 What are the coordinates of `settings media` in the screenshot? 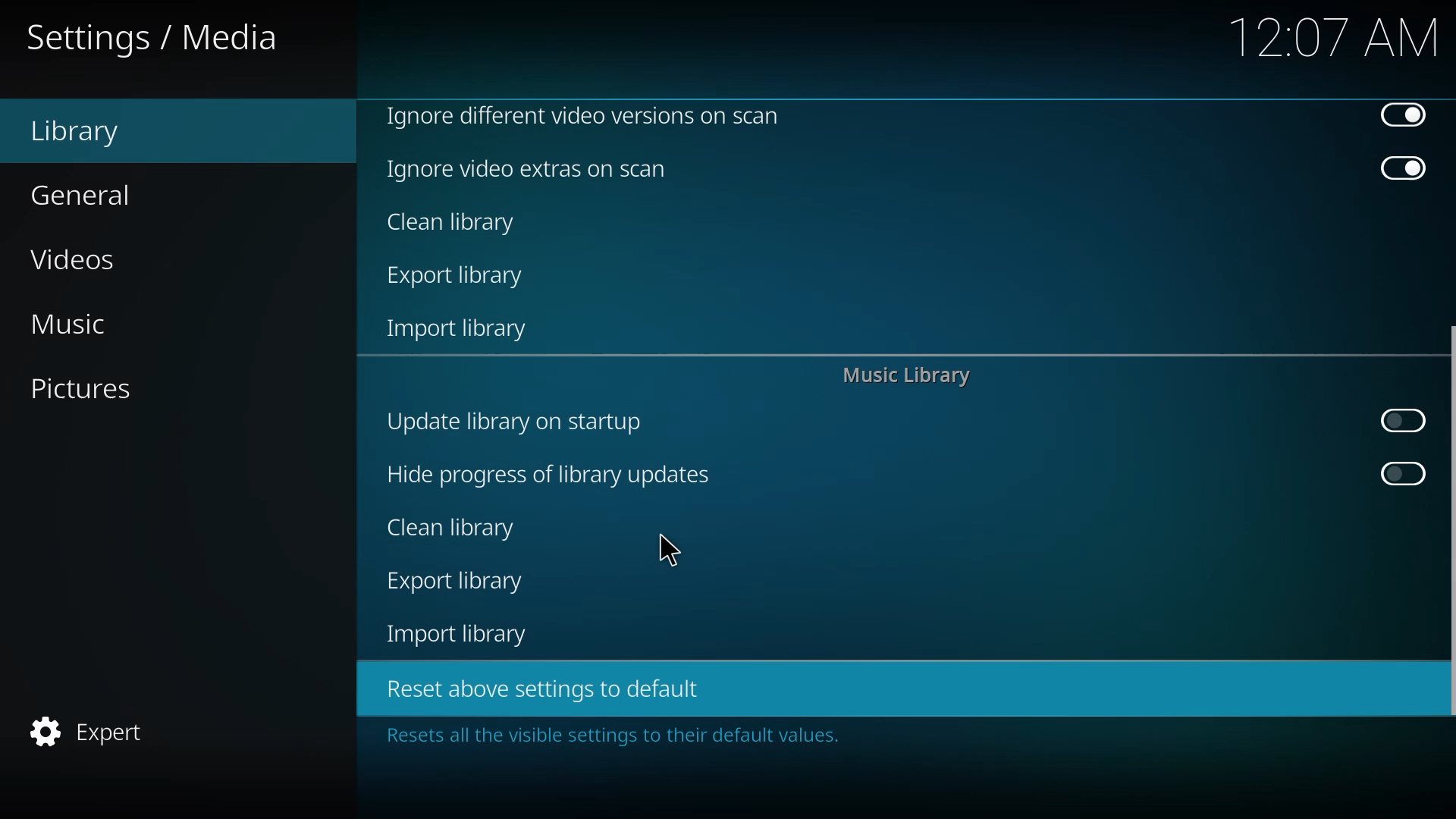 It's located at (155, 39).